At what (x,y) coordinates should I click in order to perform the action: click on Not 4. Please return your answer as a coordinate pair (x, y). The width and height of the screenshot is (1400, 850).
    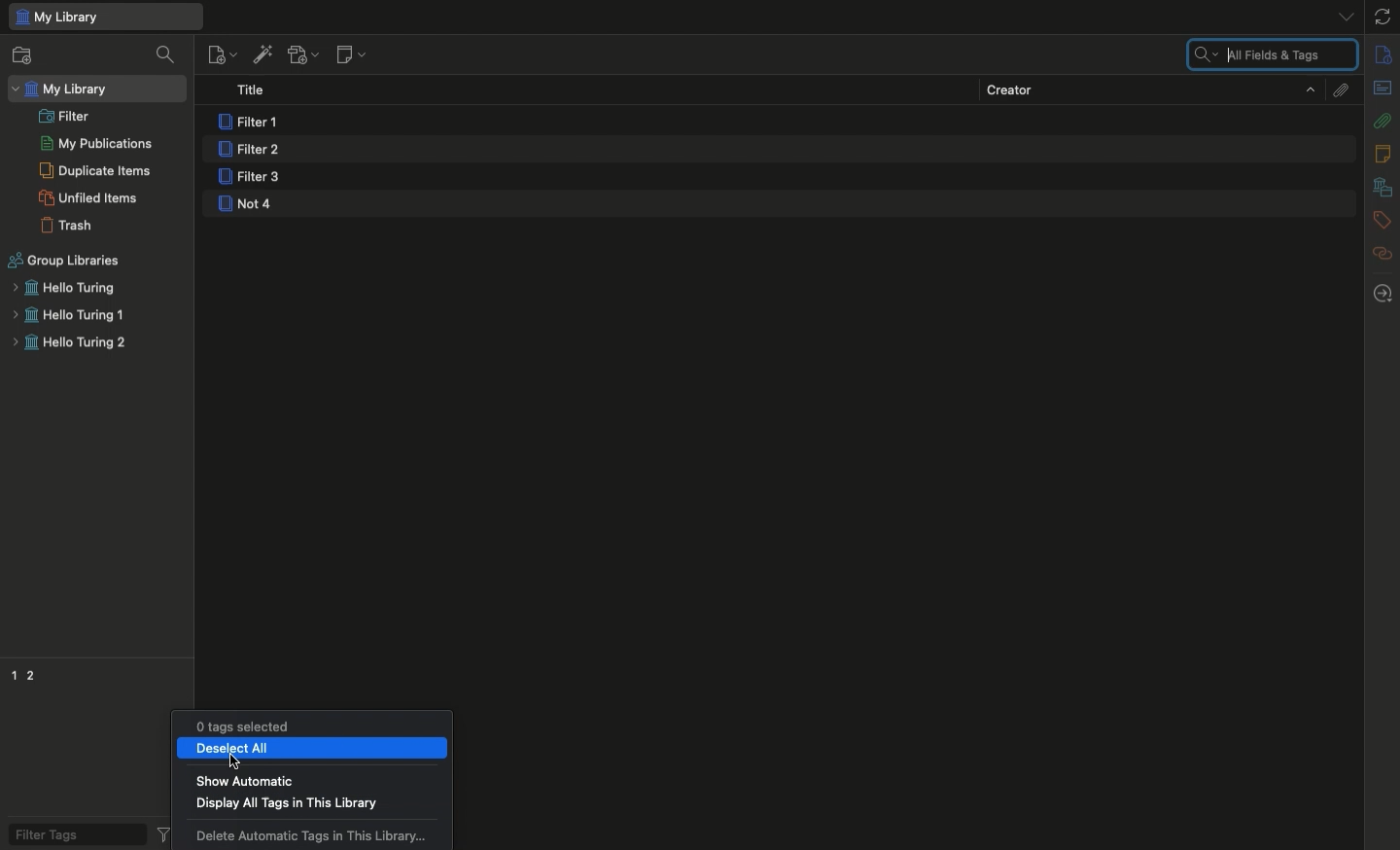
    Looking at the image, I should click on (248, 205).